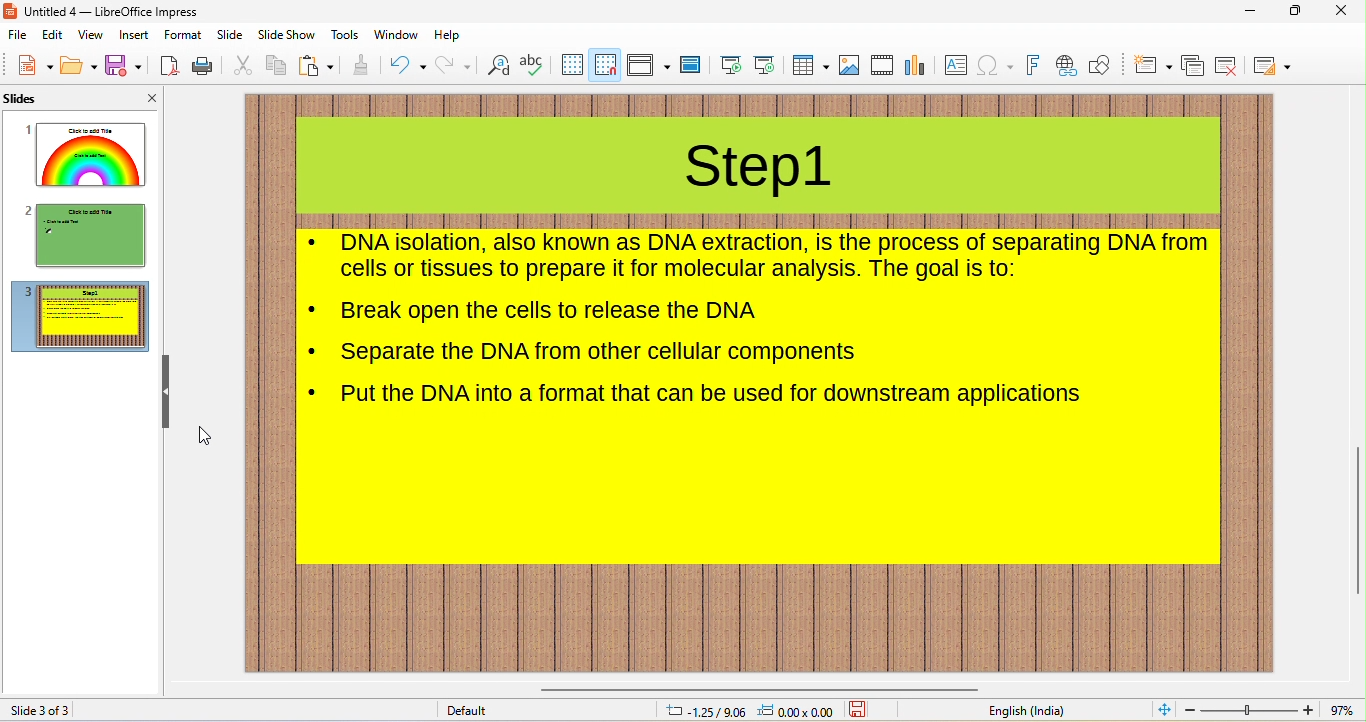  Describe the element at coordinates (732, 66) in the screenshot. I see `start from 1st slide` at that location.